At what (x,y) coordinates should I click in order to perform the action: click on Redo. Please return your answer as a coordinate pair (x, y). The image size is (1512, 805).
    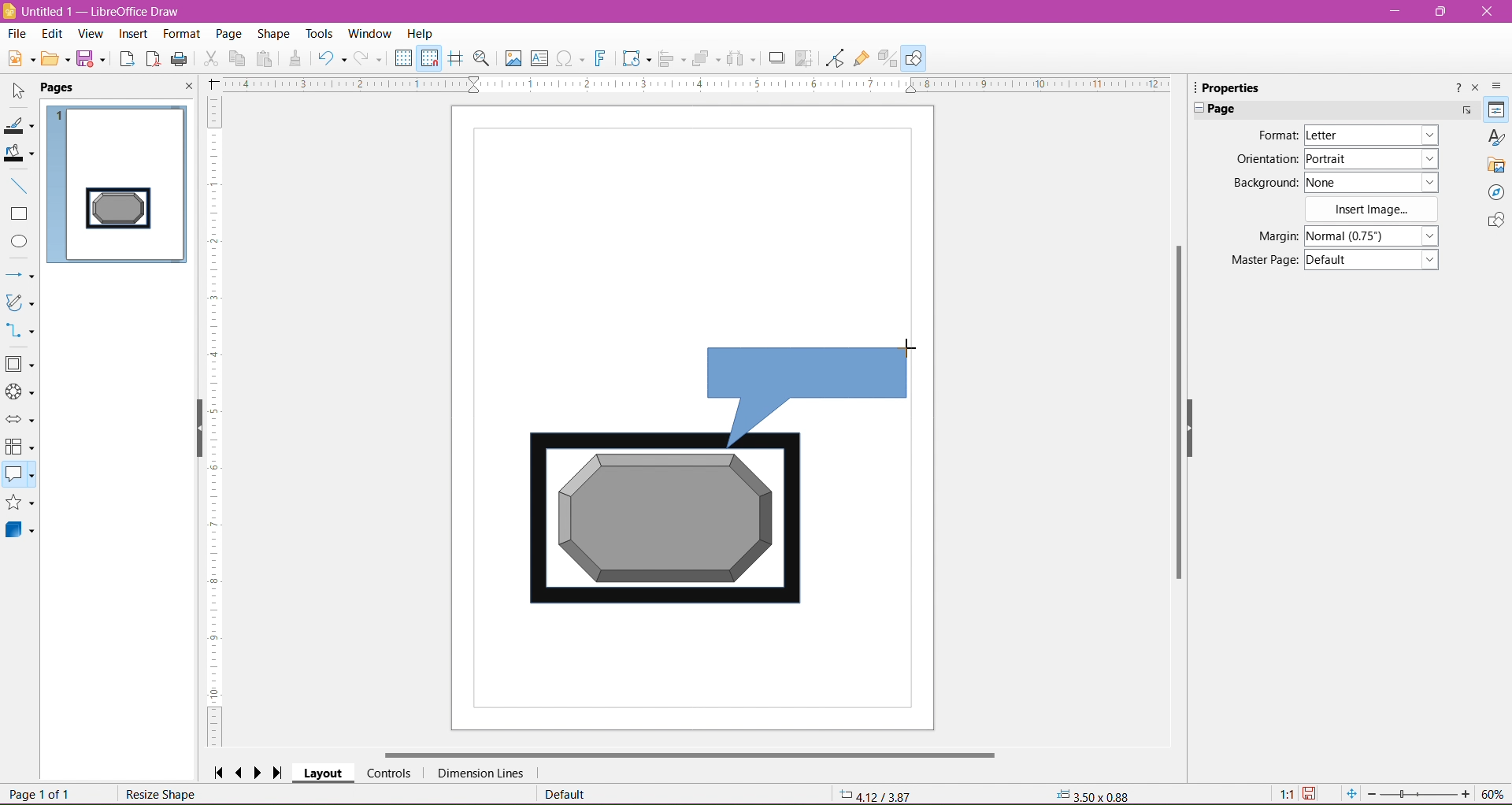
    Looking at the image, I should click on (370, 58).